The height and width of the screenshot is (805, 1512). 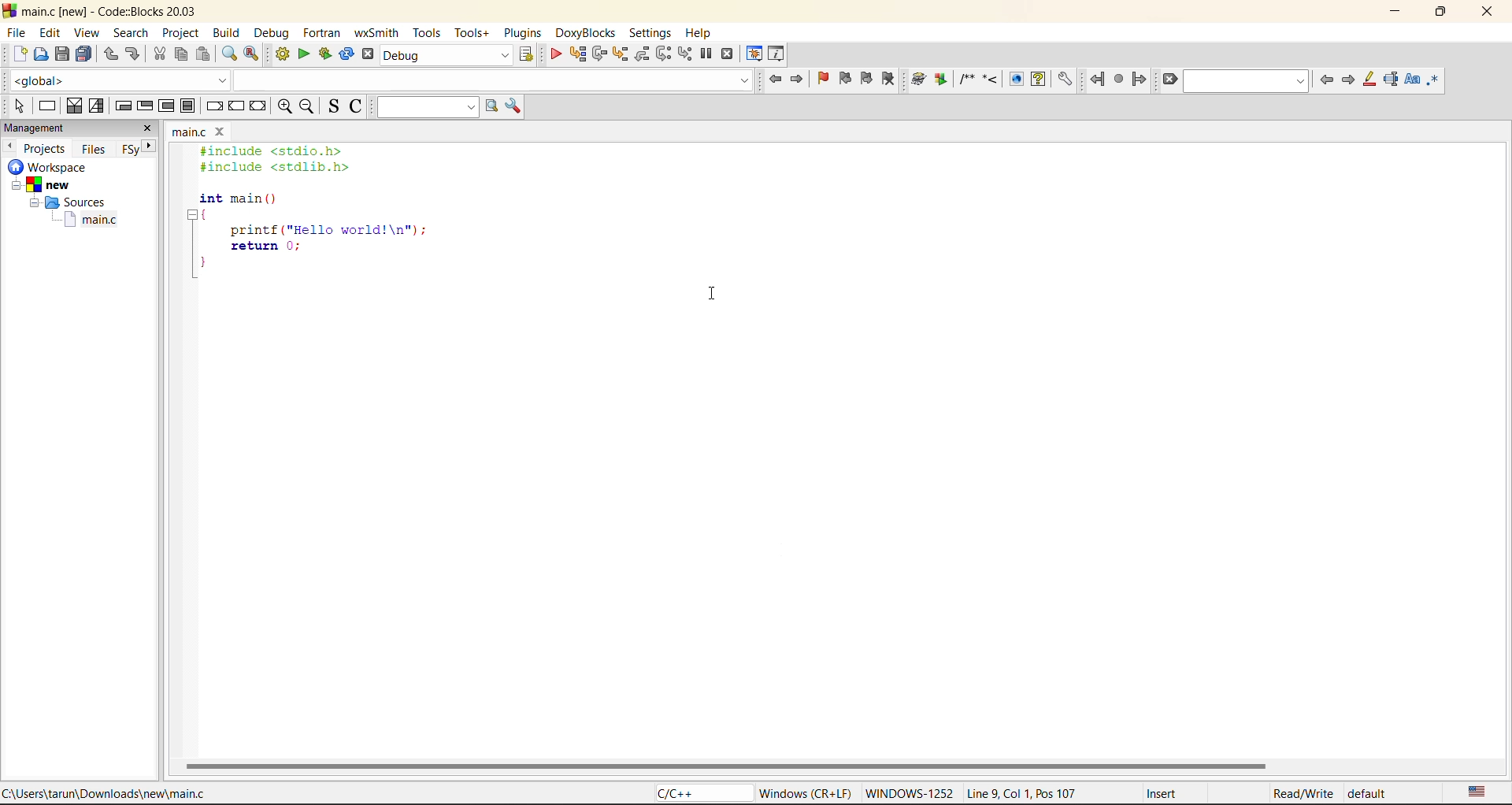 What do you see at coordinates (865, 77) in the screenshot?
I see `next bookmark` at bounding box center [865, 77].